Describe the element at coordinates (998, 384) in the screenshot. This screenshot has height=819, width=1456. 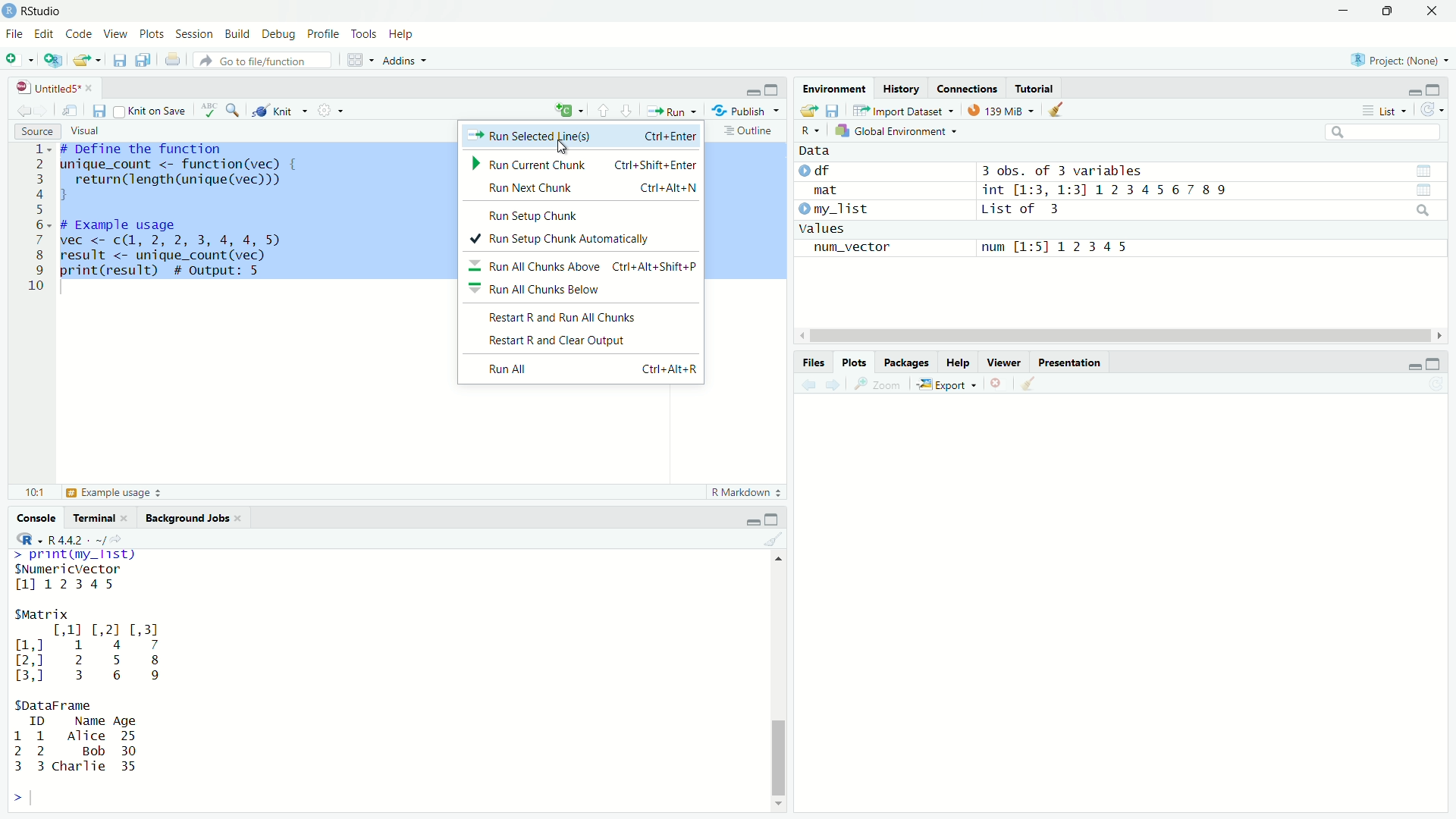
I see `clear current plot` at that location.